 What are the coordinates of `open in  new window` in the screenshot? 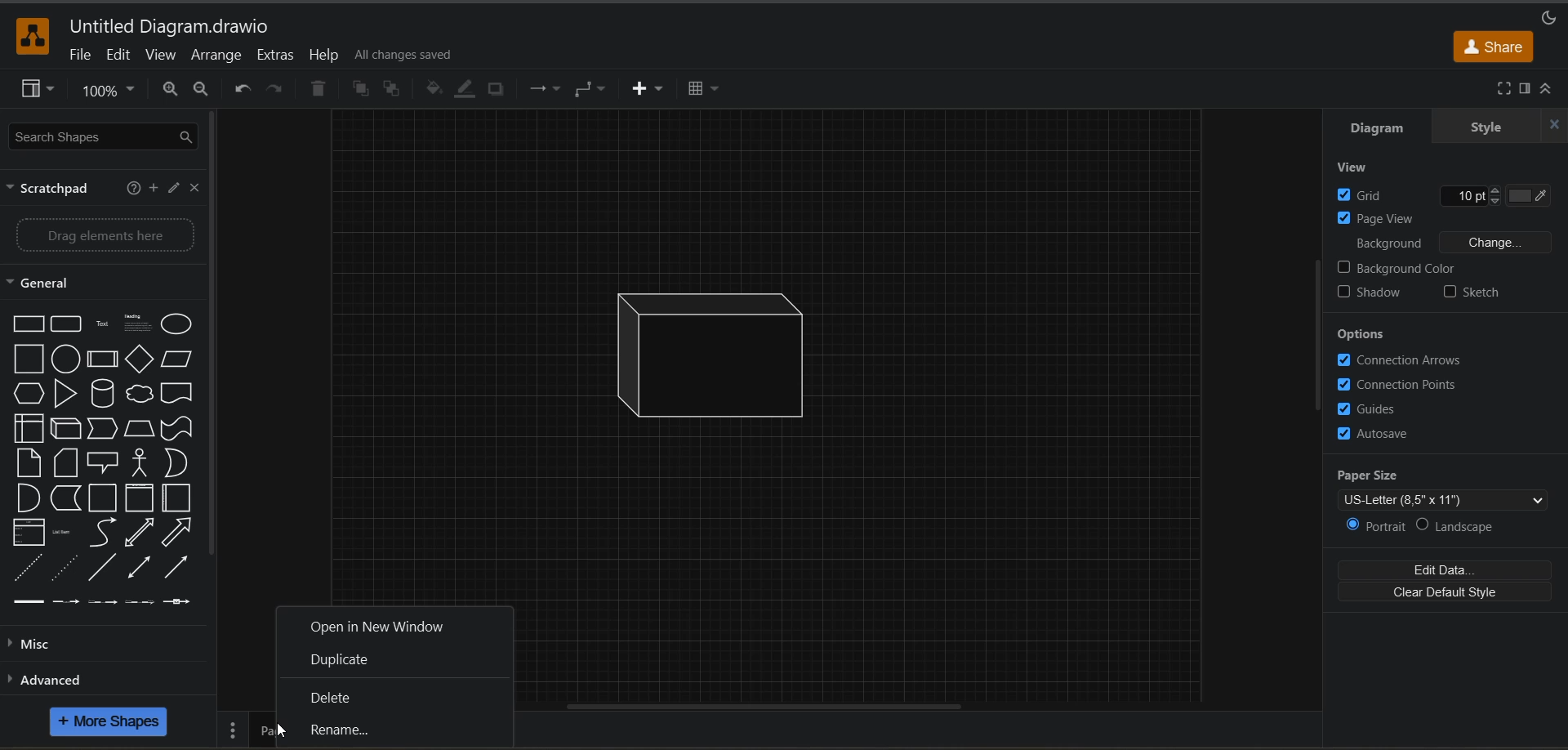 It's located at (381, 629).